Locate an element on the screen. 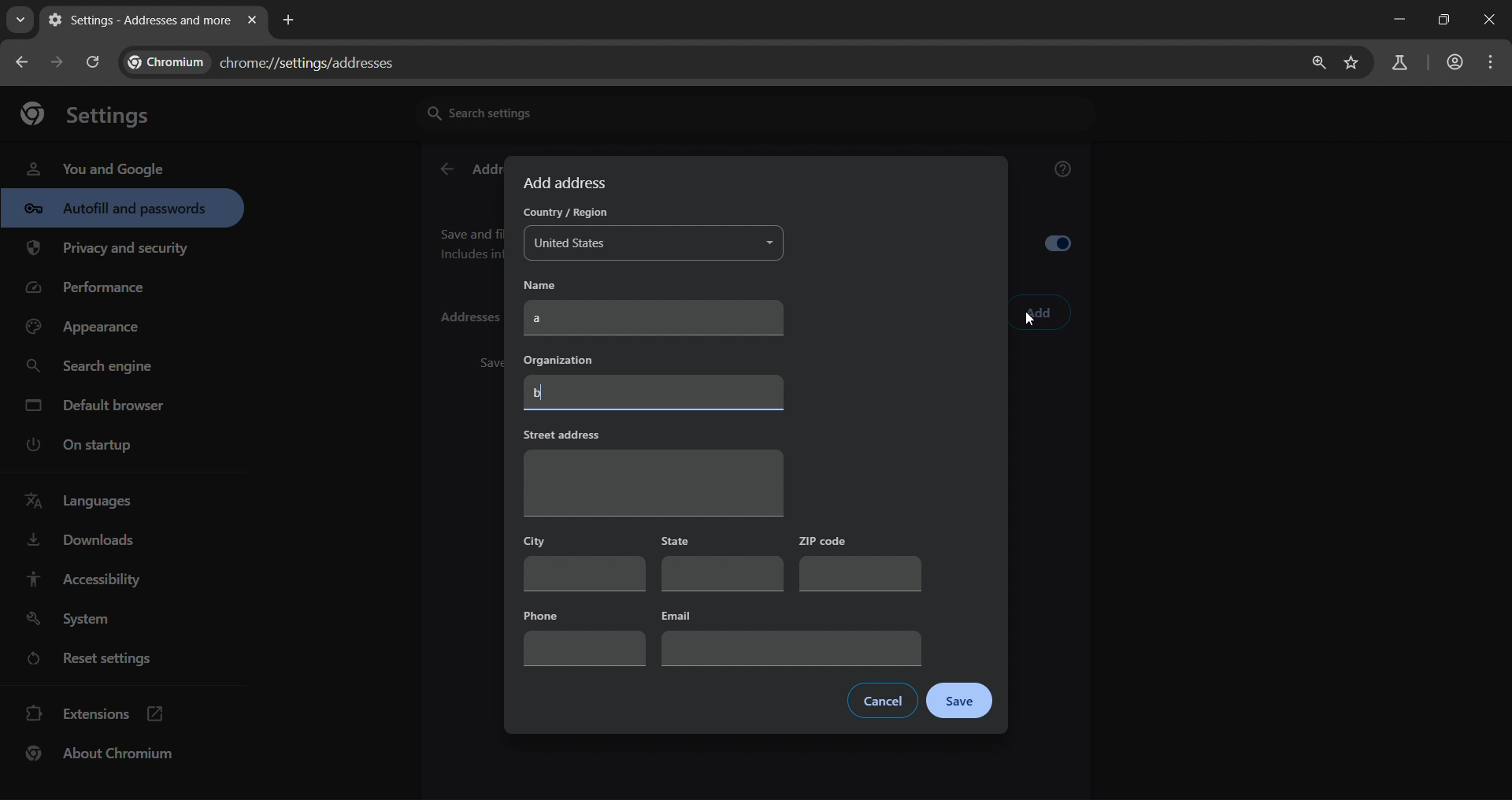 Image resolution: width=1512 pixels, height=800 pixels. add is located at coordinates (1039, 313).